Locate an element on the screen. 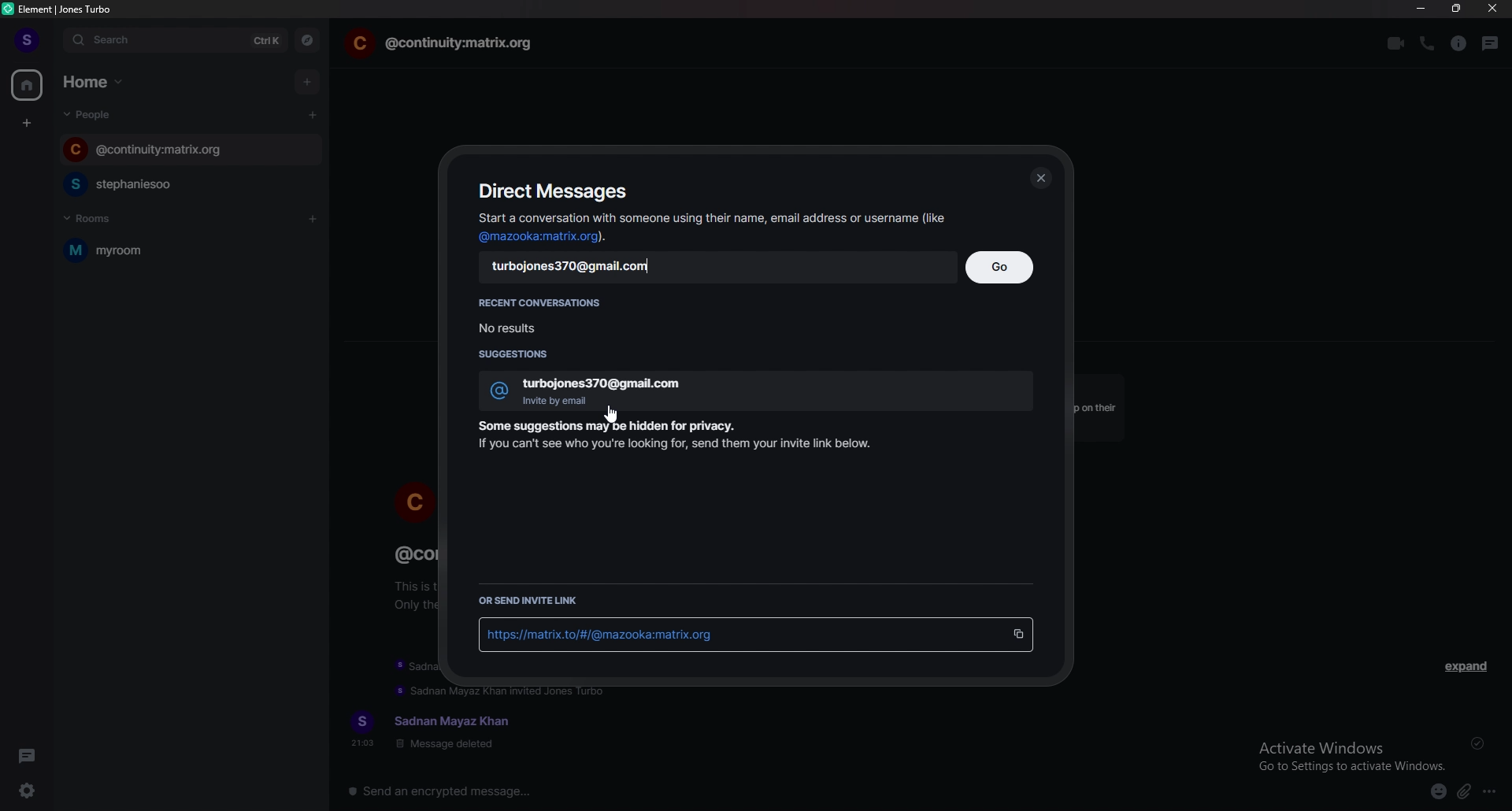  suggestion is located at coordinates (762, 388).